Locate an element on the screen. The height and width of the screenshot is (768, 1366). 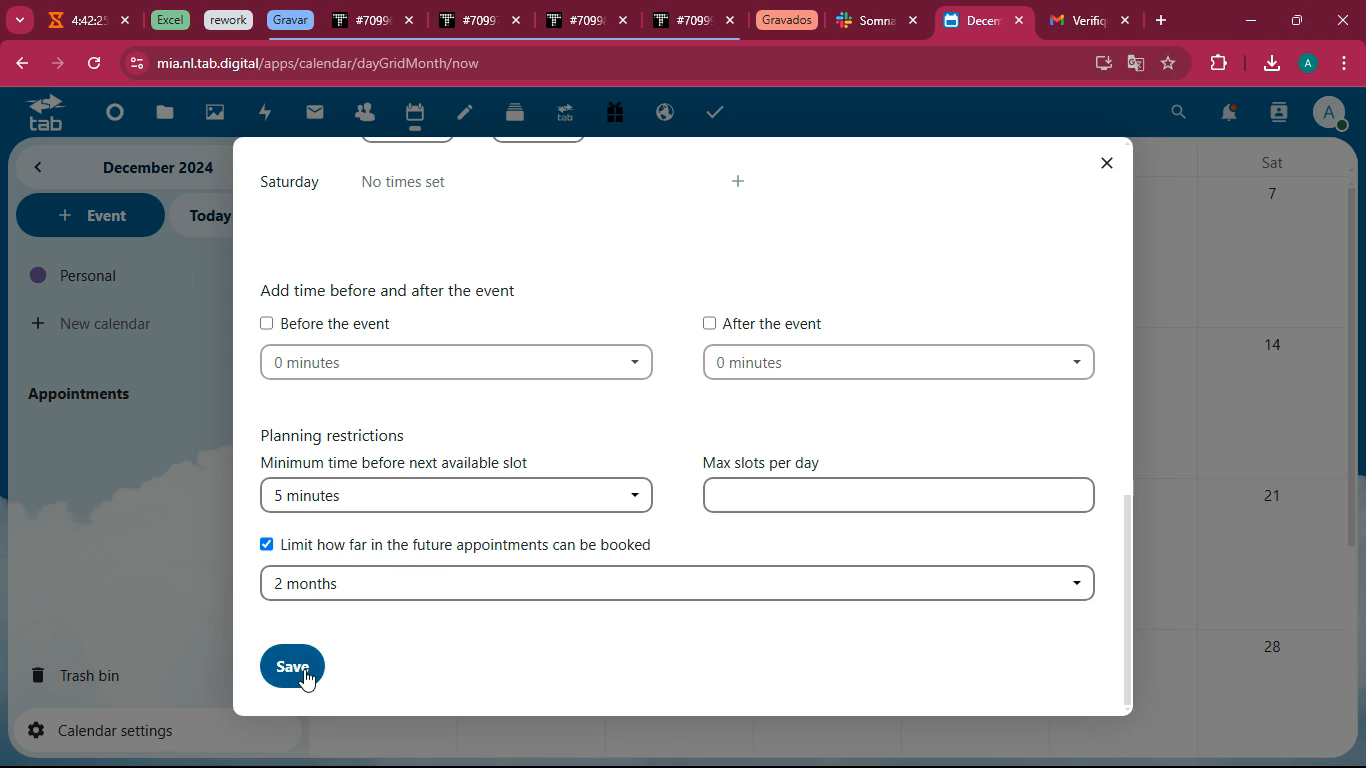
profile is located at coordinates (1311, 63).